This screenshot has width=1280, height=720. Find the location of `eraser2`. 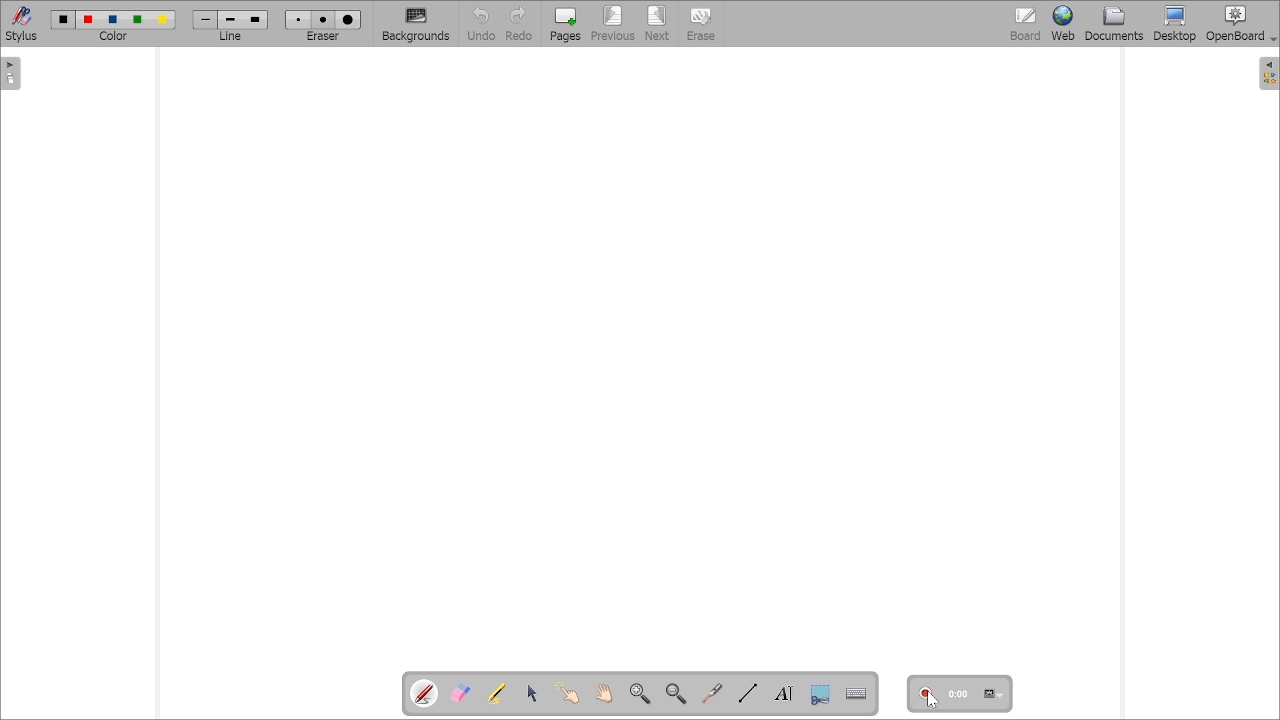

eraser2 is located at coordinates (325, 19).